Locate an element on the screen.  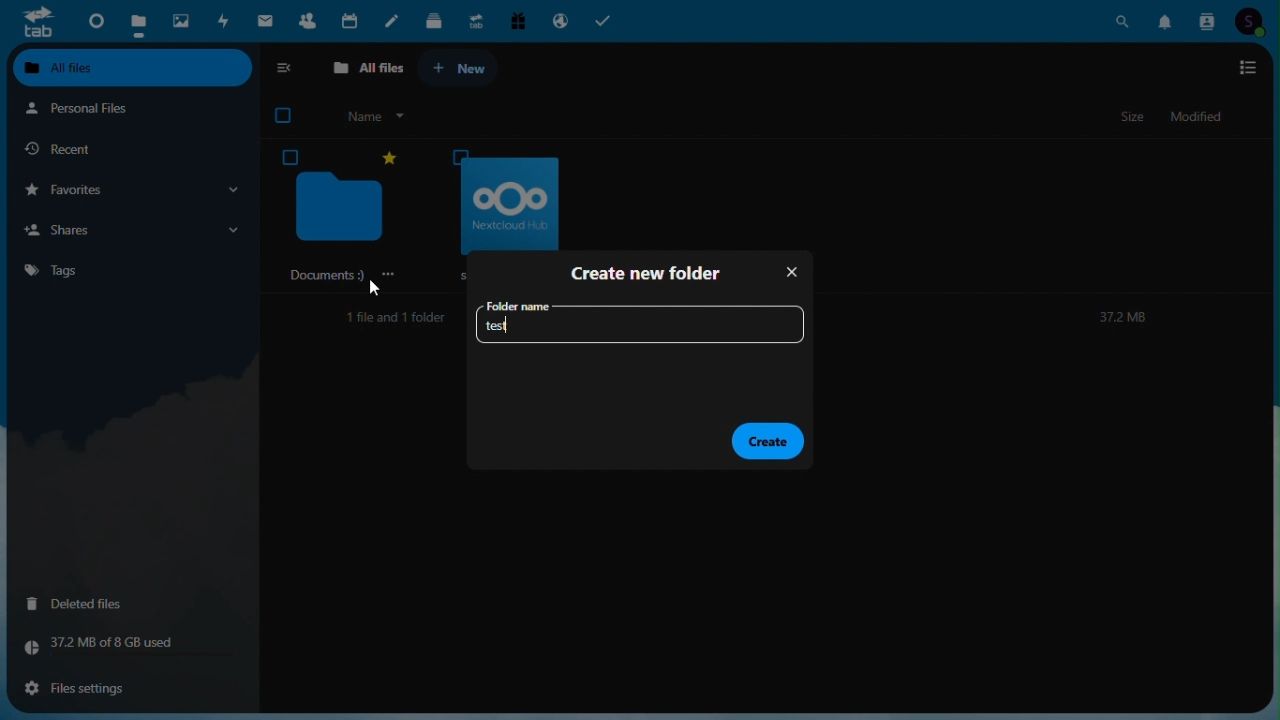
All files is located at coordinates (364, 66).